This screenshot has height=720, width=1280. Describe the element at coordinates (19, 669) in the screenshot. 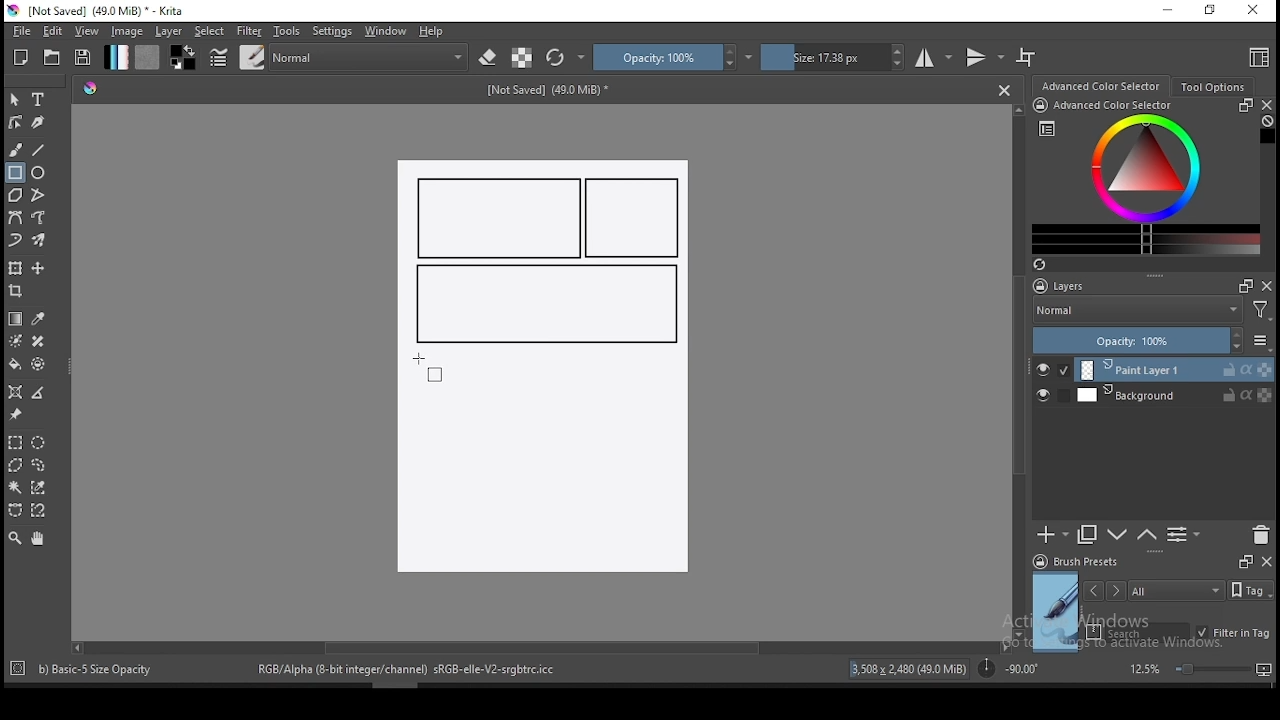

I see `Target` at that location.